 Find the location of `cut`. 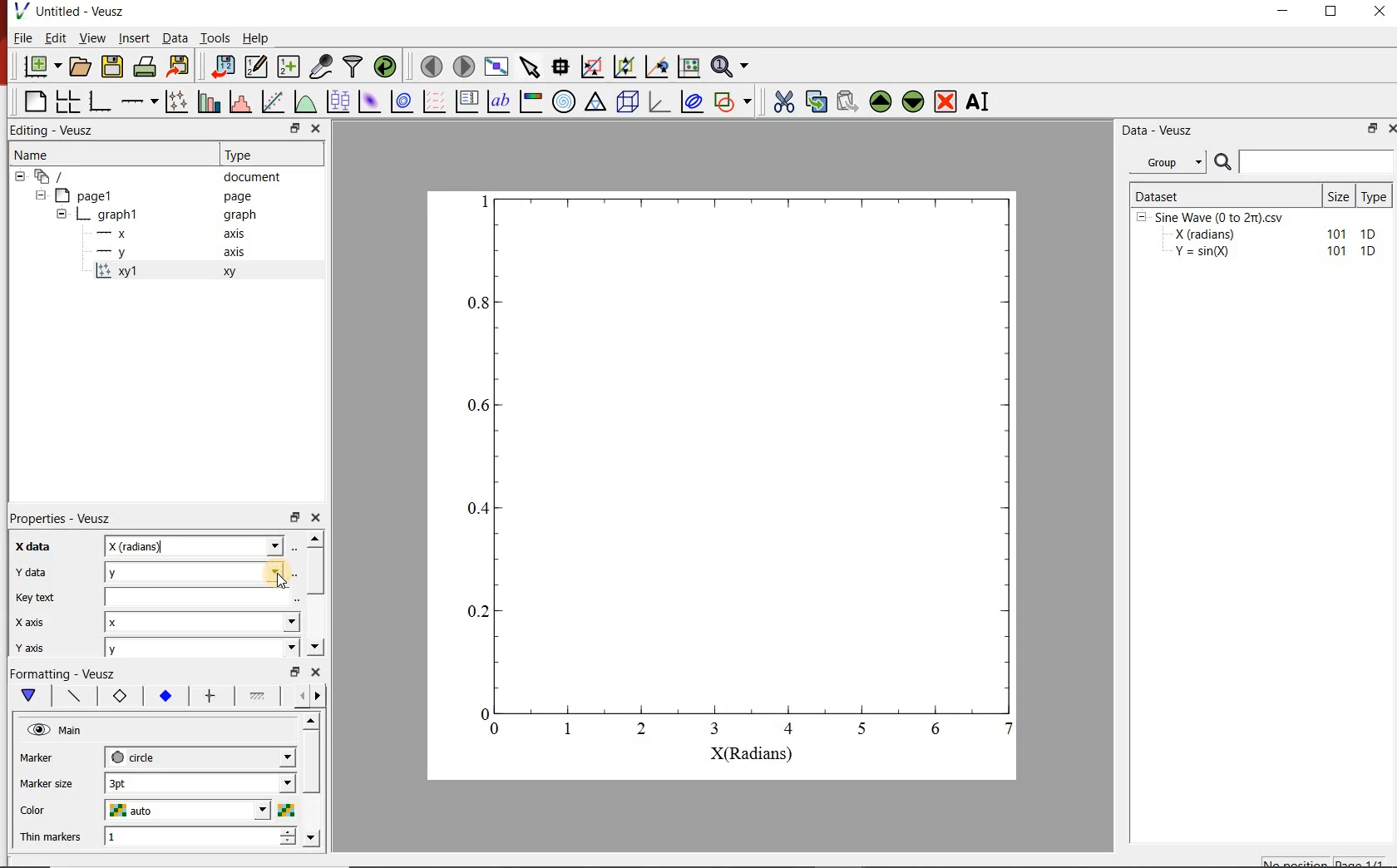

cut is located at coordinates (784, 100).